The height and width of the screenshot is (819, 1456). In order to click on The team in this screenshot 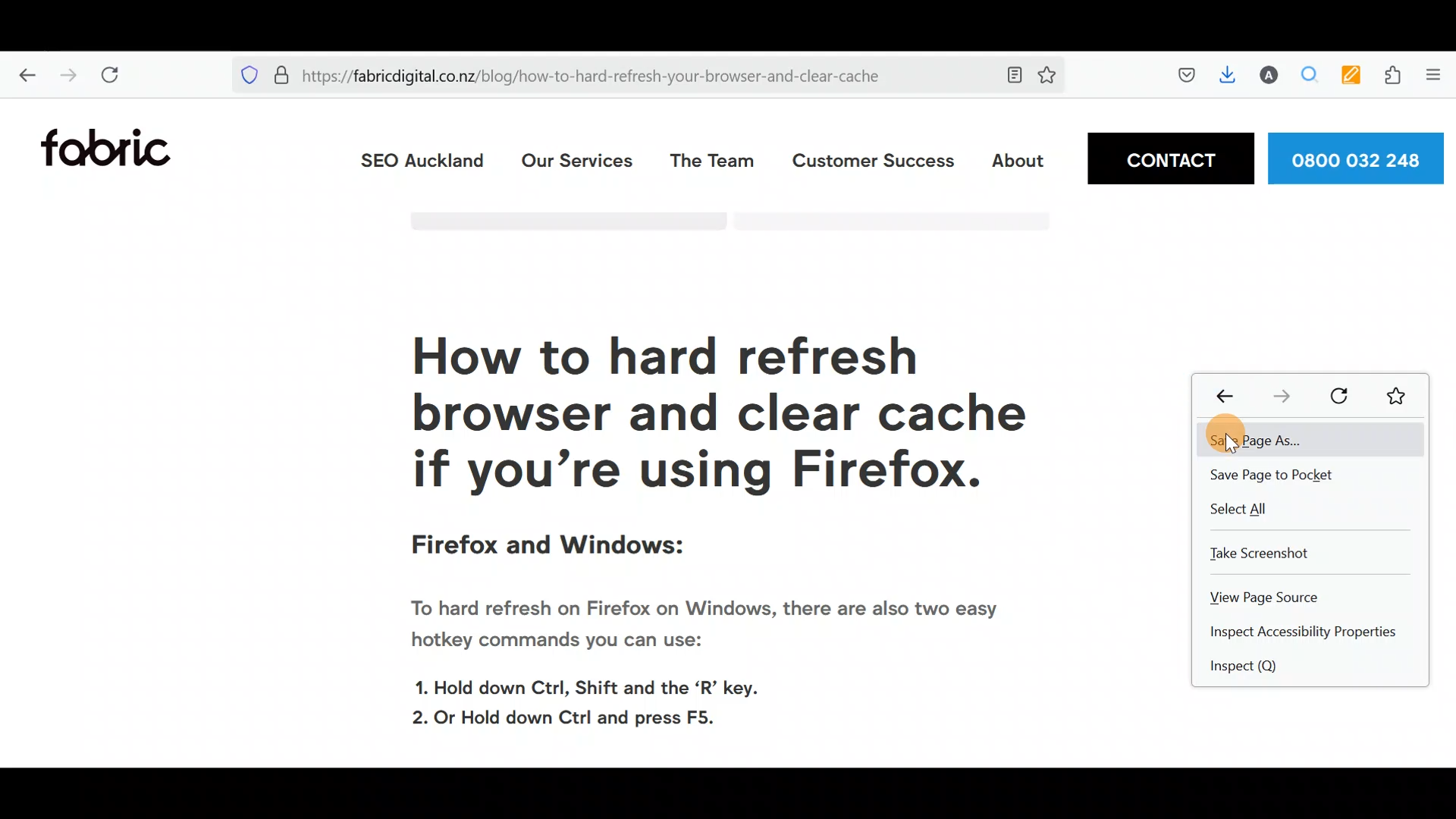, I will do `click(711, 160)`.